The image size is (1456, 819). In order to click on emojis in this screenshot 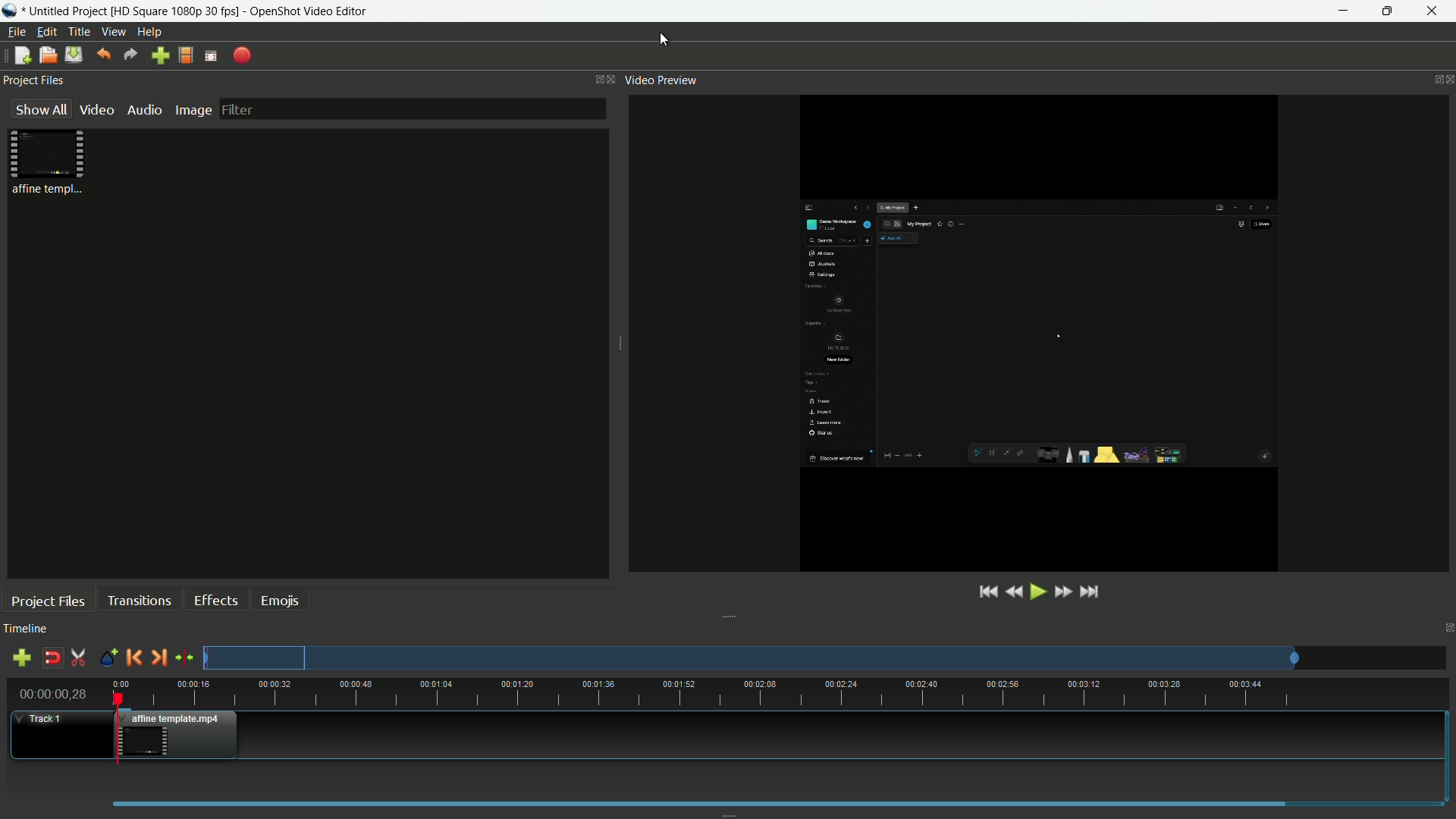, I will do `click(280, 601)`.